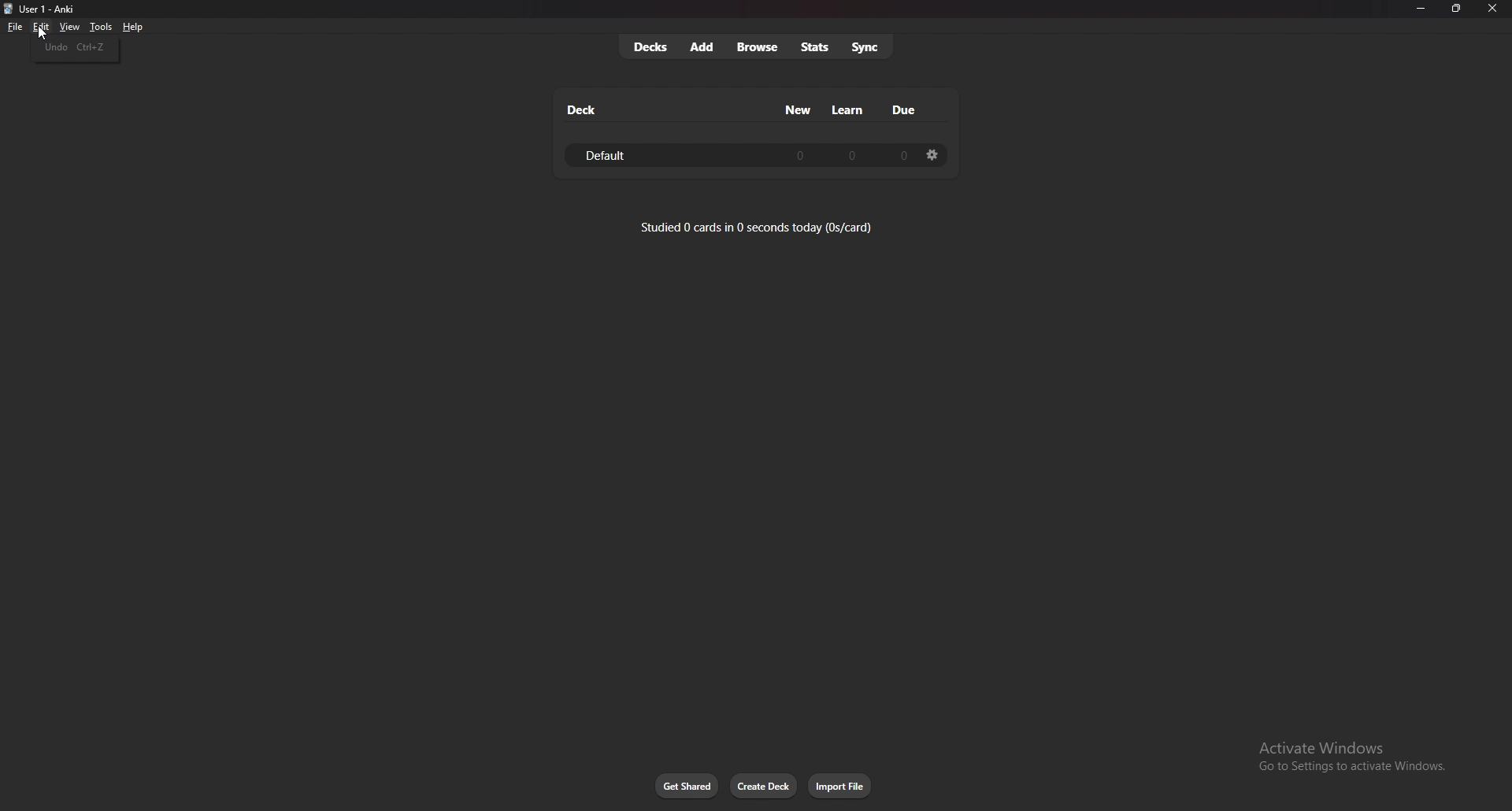 The width and height of the screenshot is (1512, 811). Describe the element at coordinates (54, 9) in the screenshot. I see `User 1 - Anki` at that location.